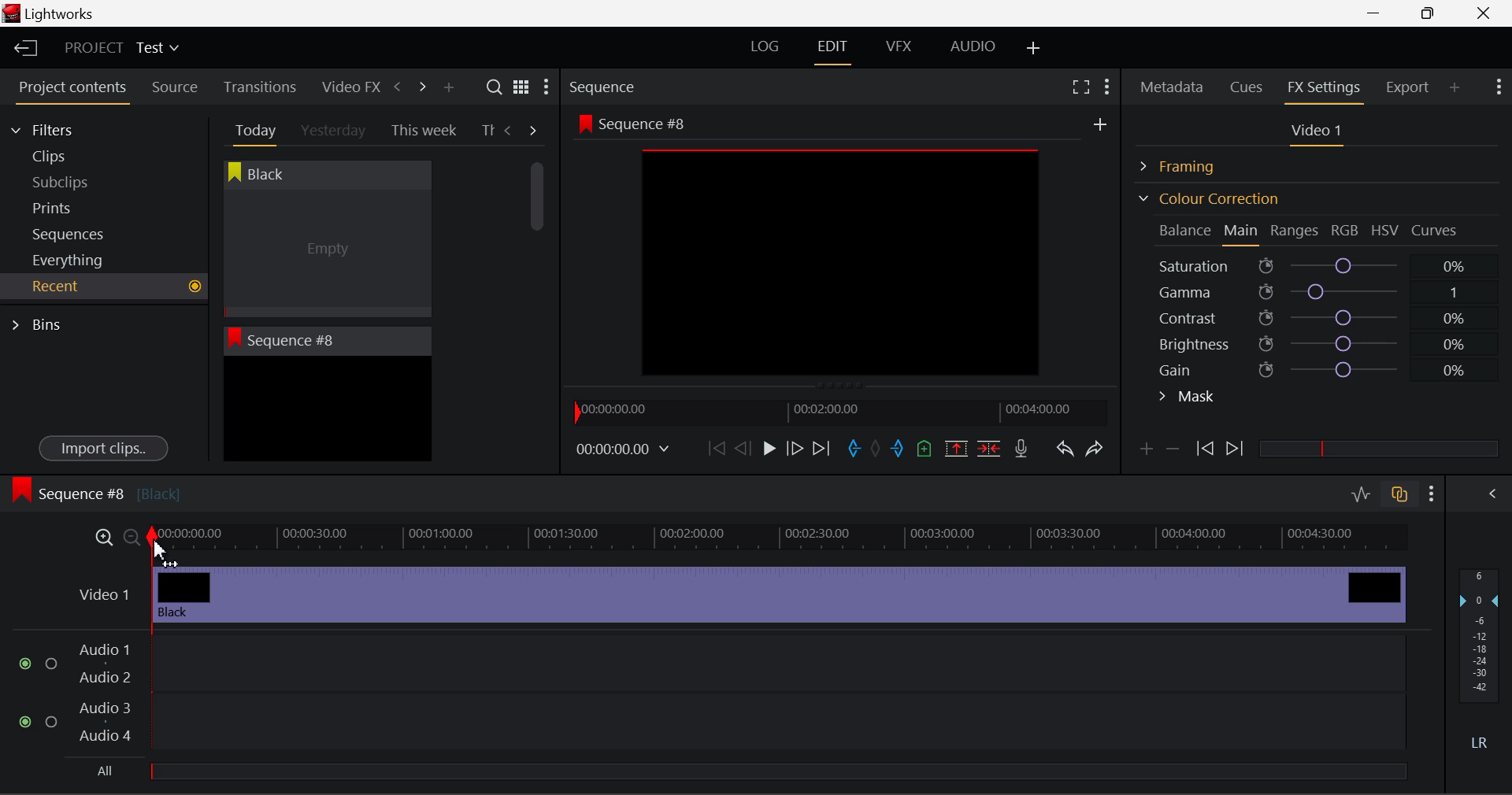  What do you see at coordinates (821, 449) in the screenshot?
I see `To End` at bounding box center [821, 449].